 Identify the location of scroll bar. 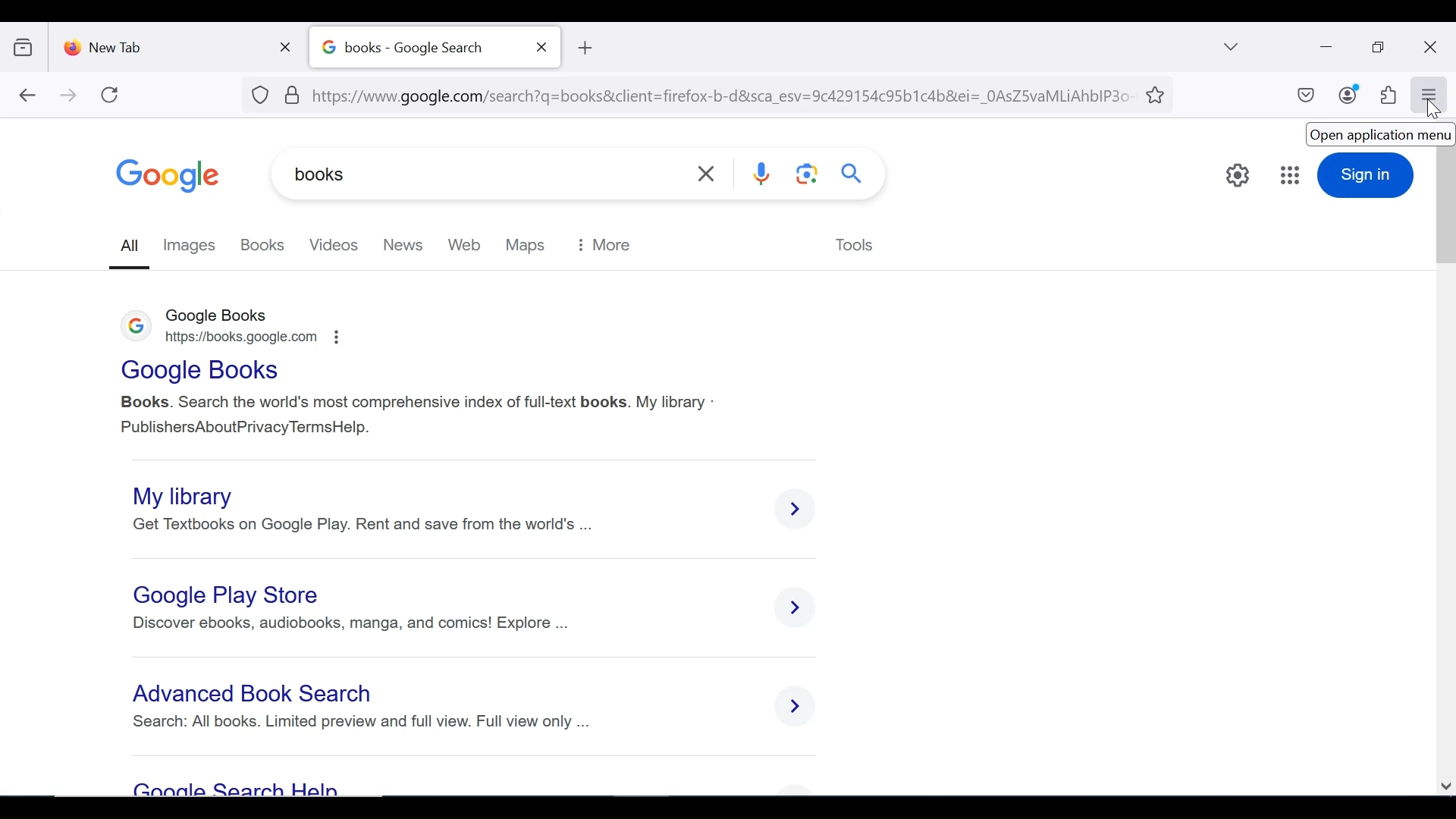
(1443, 473).